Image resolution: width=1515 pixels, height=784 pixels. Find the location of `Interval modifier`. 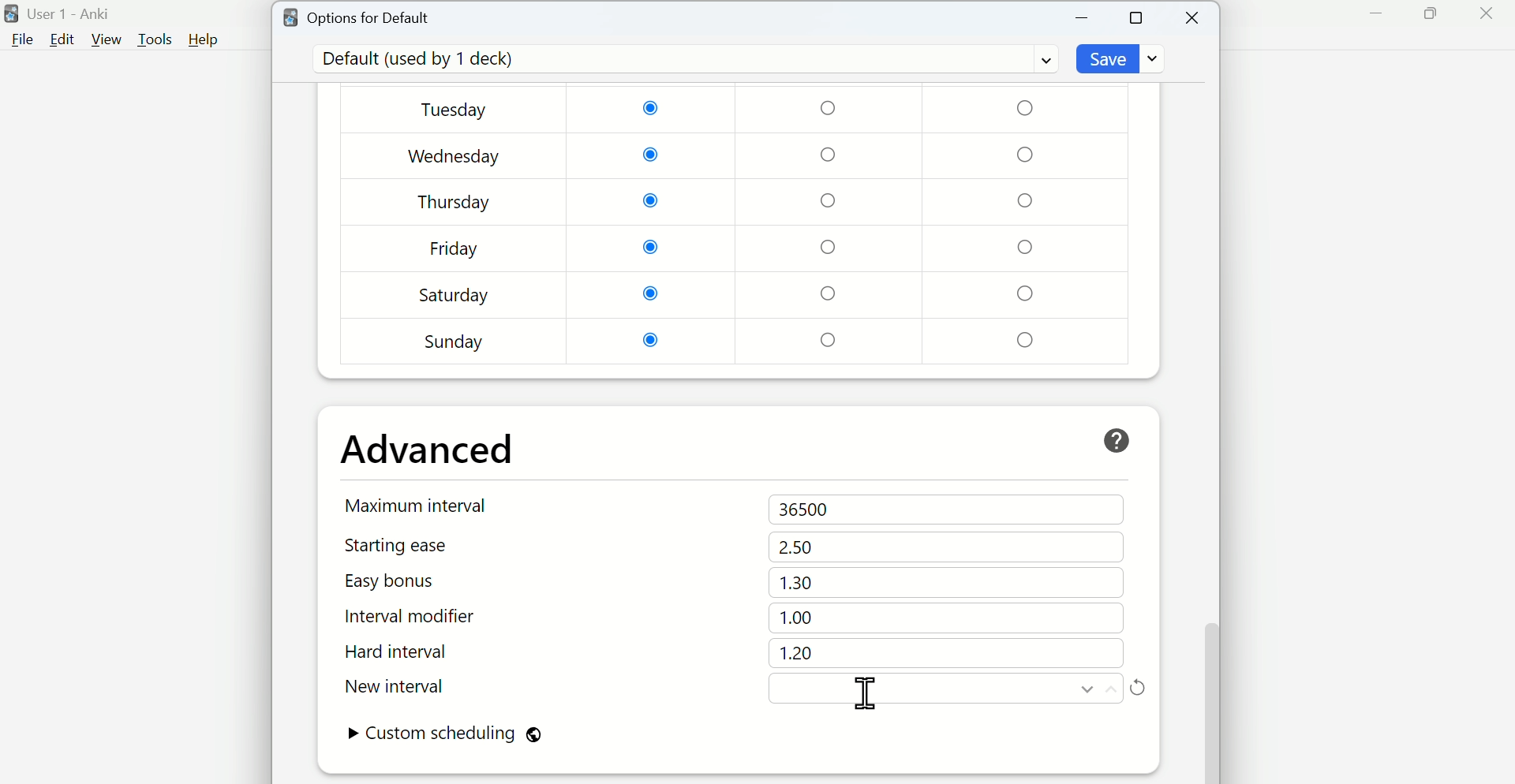

Interval modifier is located at coordinates (417, 617).